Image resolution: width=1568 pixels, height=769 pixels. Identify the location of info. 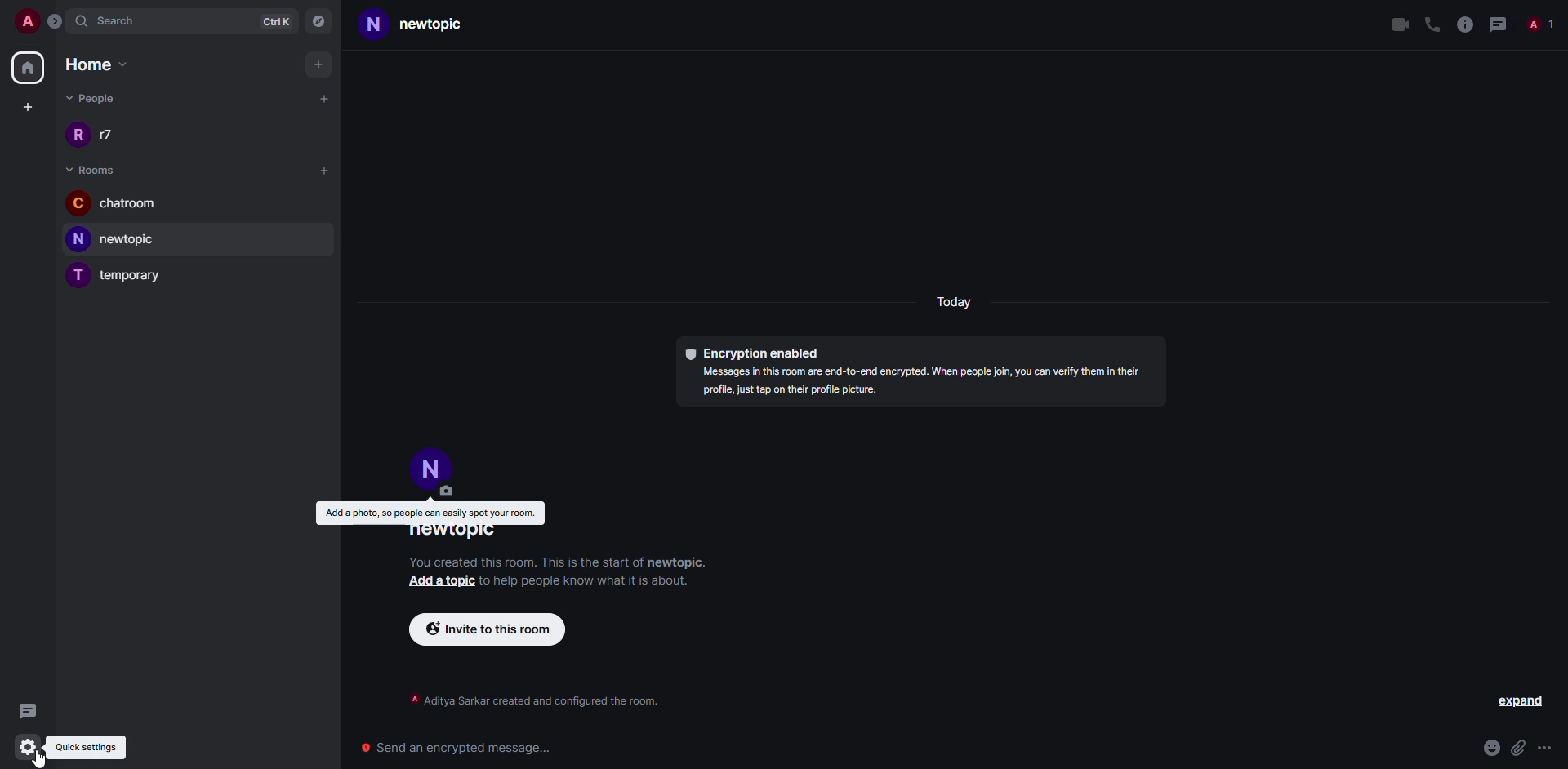
(920, 380).